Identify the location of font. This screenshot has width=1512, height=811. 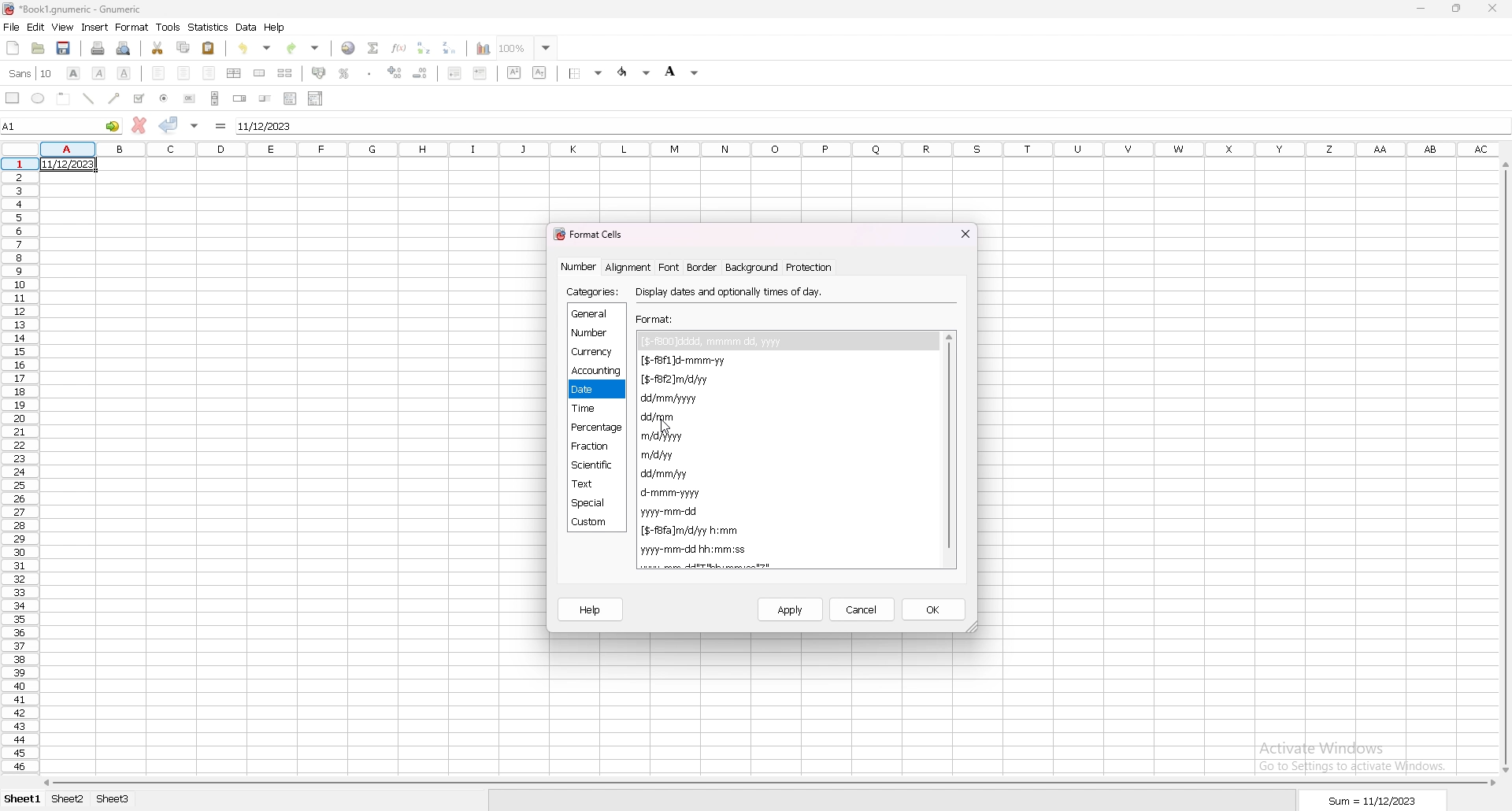
(33, 72).